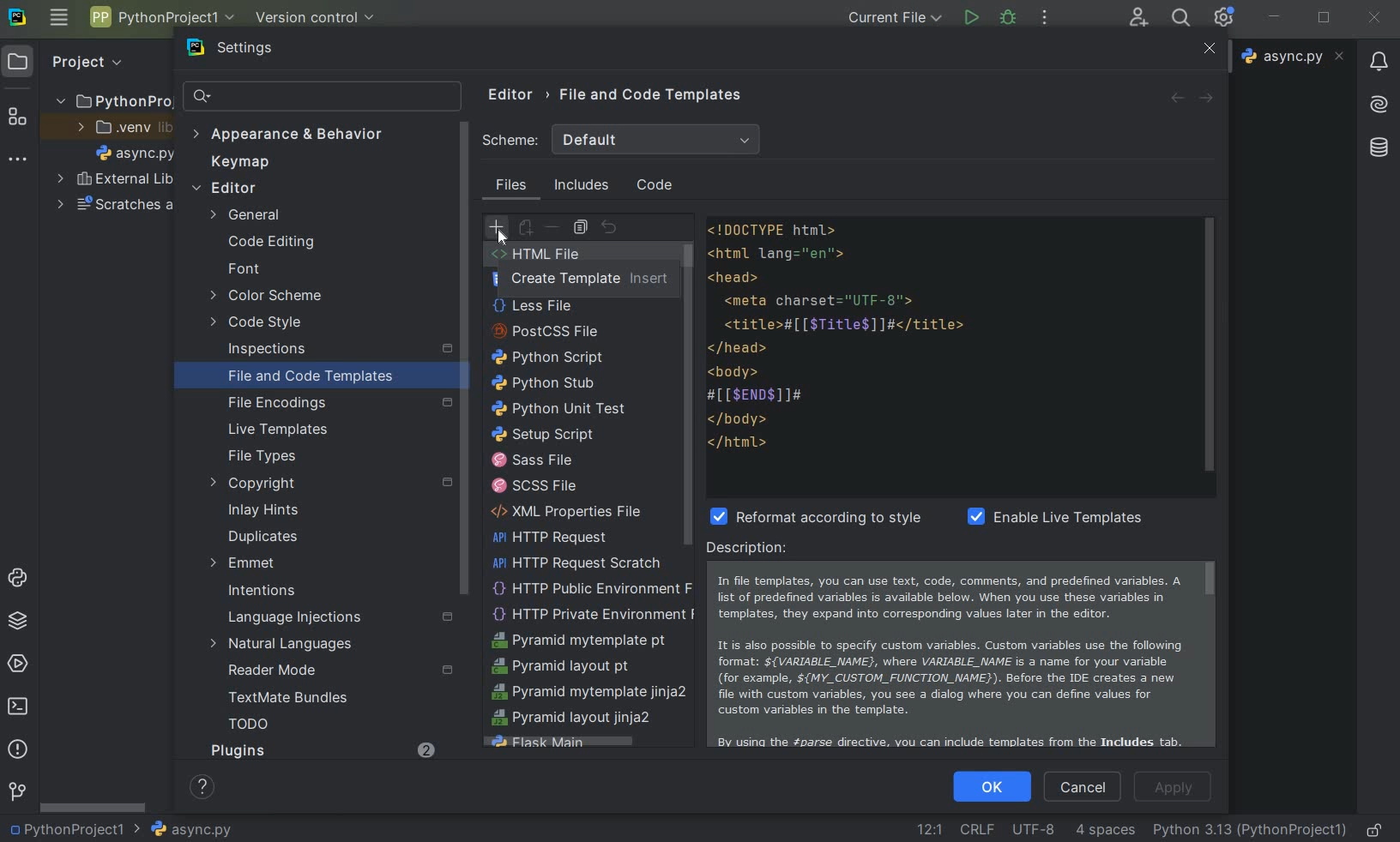 The width and height of the screenshot is (1400, 842). What do you see at coordinates (588, 692) in the screenshot?
I see `pyramid mytemplate jinja2` at bounding box center [588, 692].